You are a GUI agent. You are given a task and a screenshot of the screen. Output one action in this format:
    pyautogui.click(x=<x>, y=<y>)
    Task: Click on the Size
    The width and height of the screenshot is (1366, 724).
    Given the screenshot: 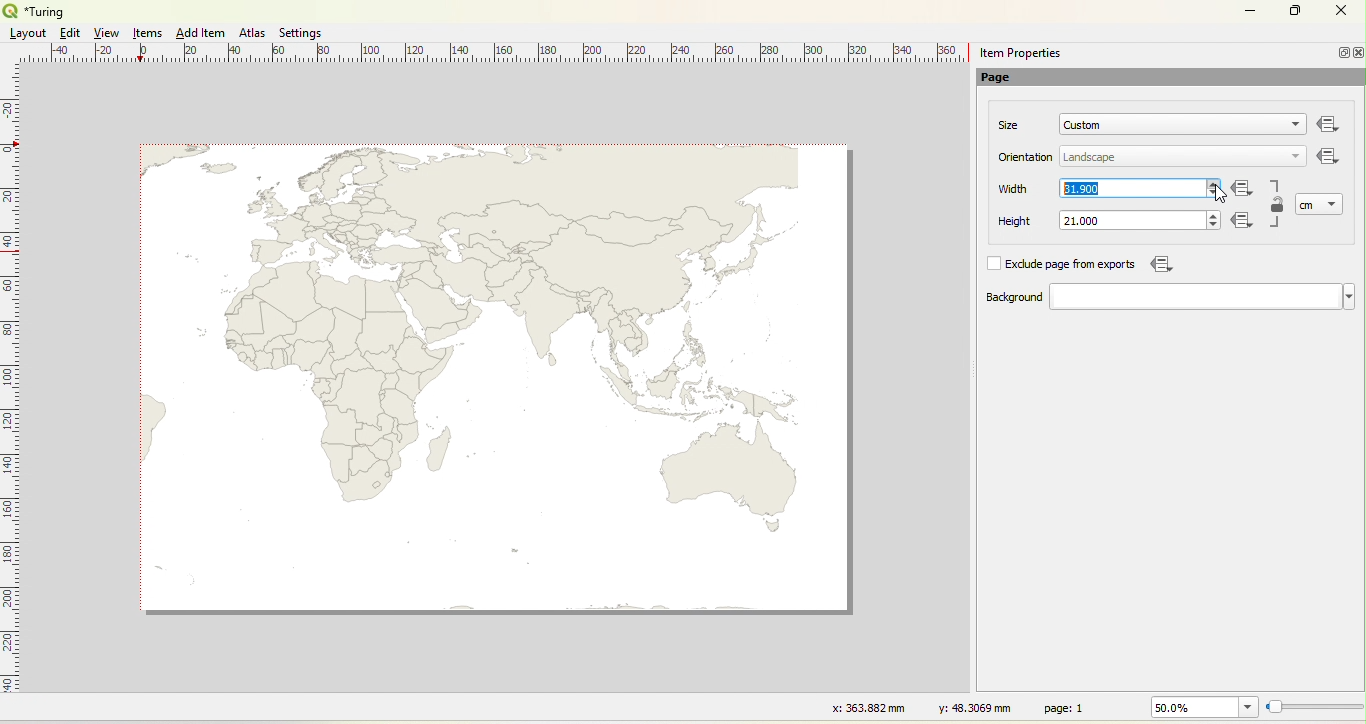 What is the action you would take?
    pyautogui.click(x=1010, y=125)
    